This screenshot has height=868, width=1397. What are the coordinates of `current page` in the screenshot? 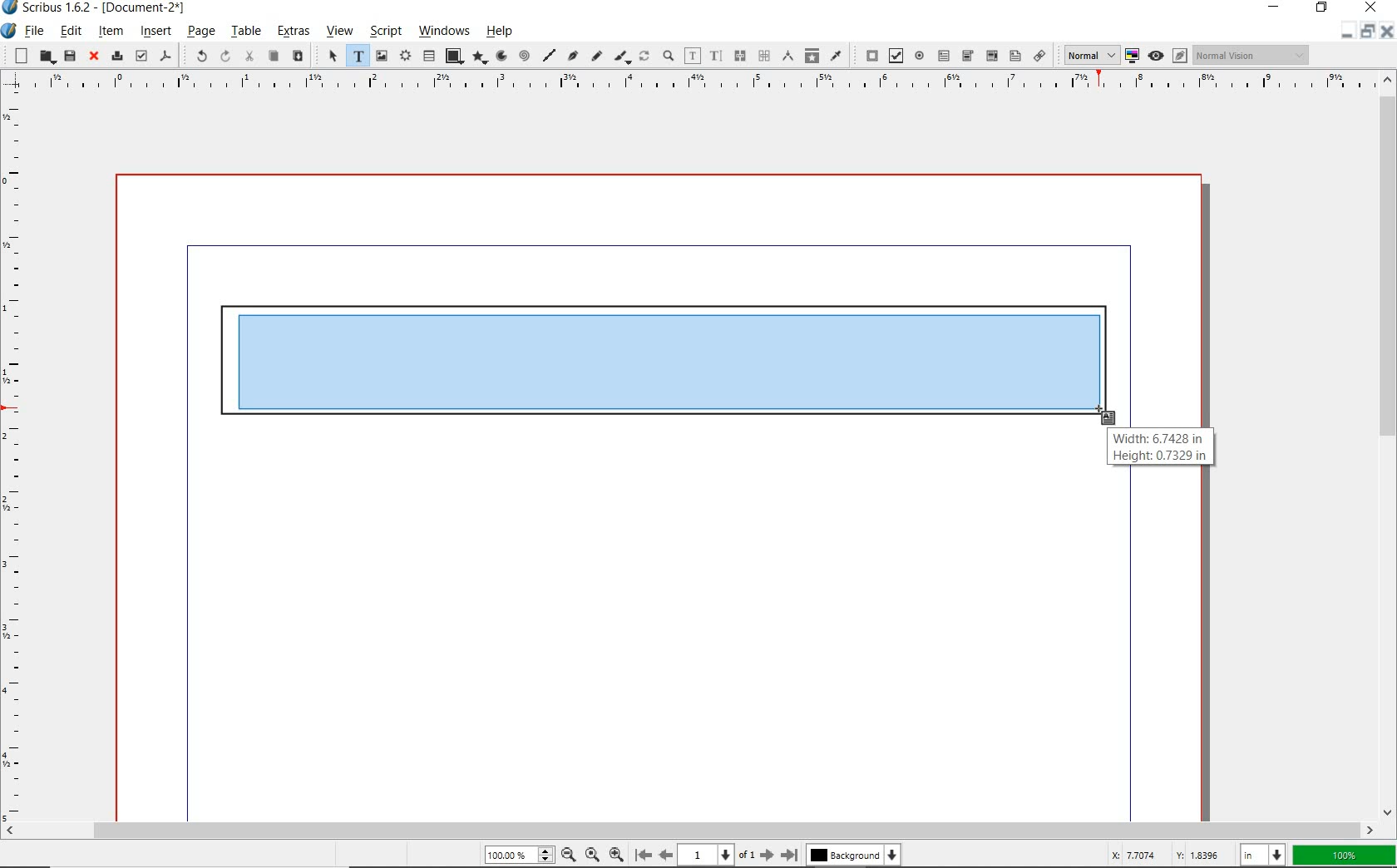 It's located at (717, 855).